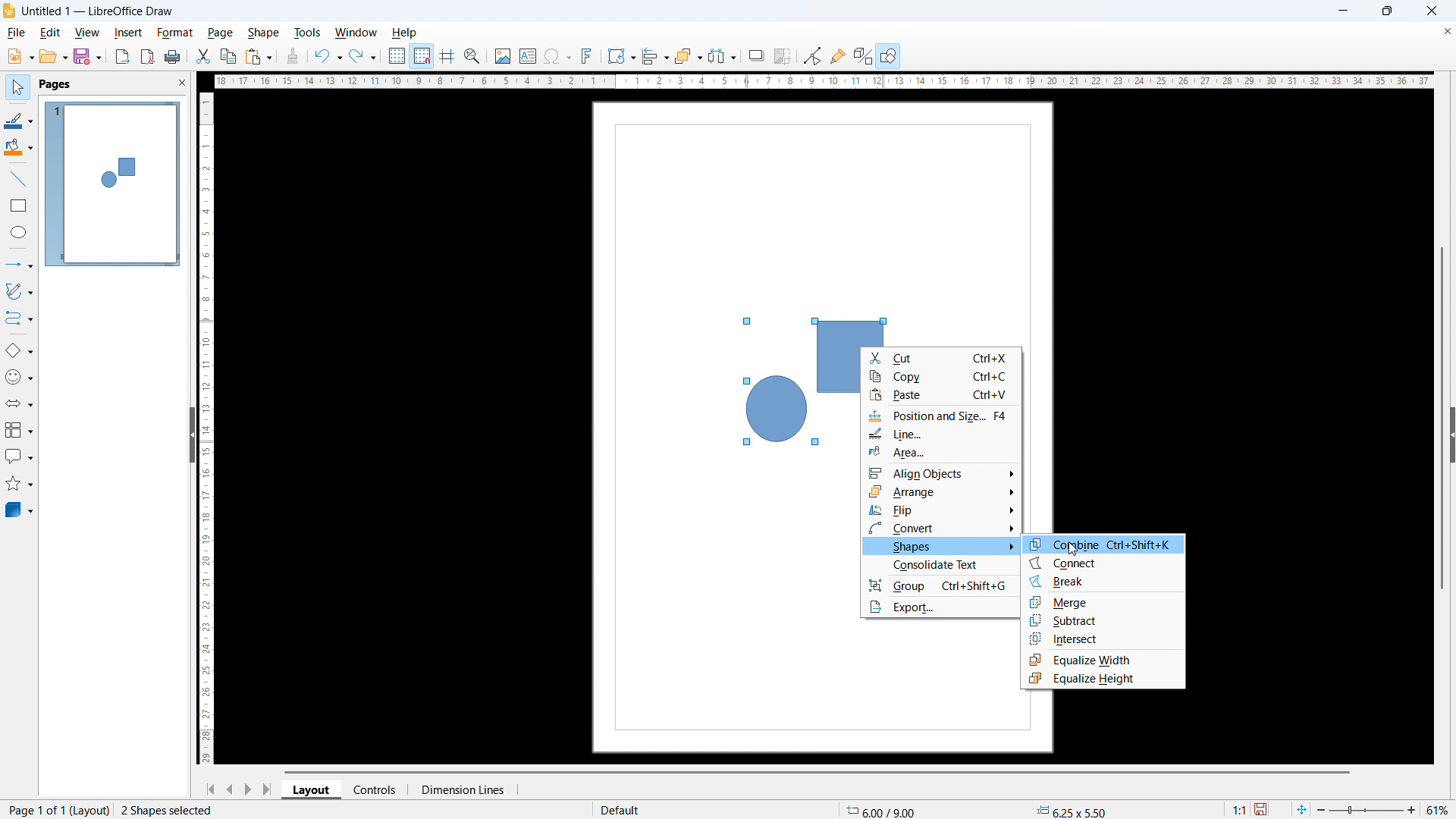  What do you see at coordinates (312, 790) in the screenshot?
I see `layout` at bounding box center [312, 790].